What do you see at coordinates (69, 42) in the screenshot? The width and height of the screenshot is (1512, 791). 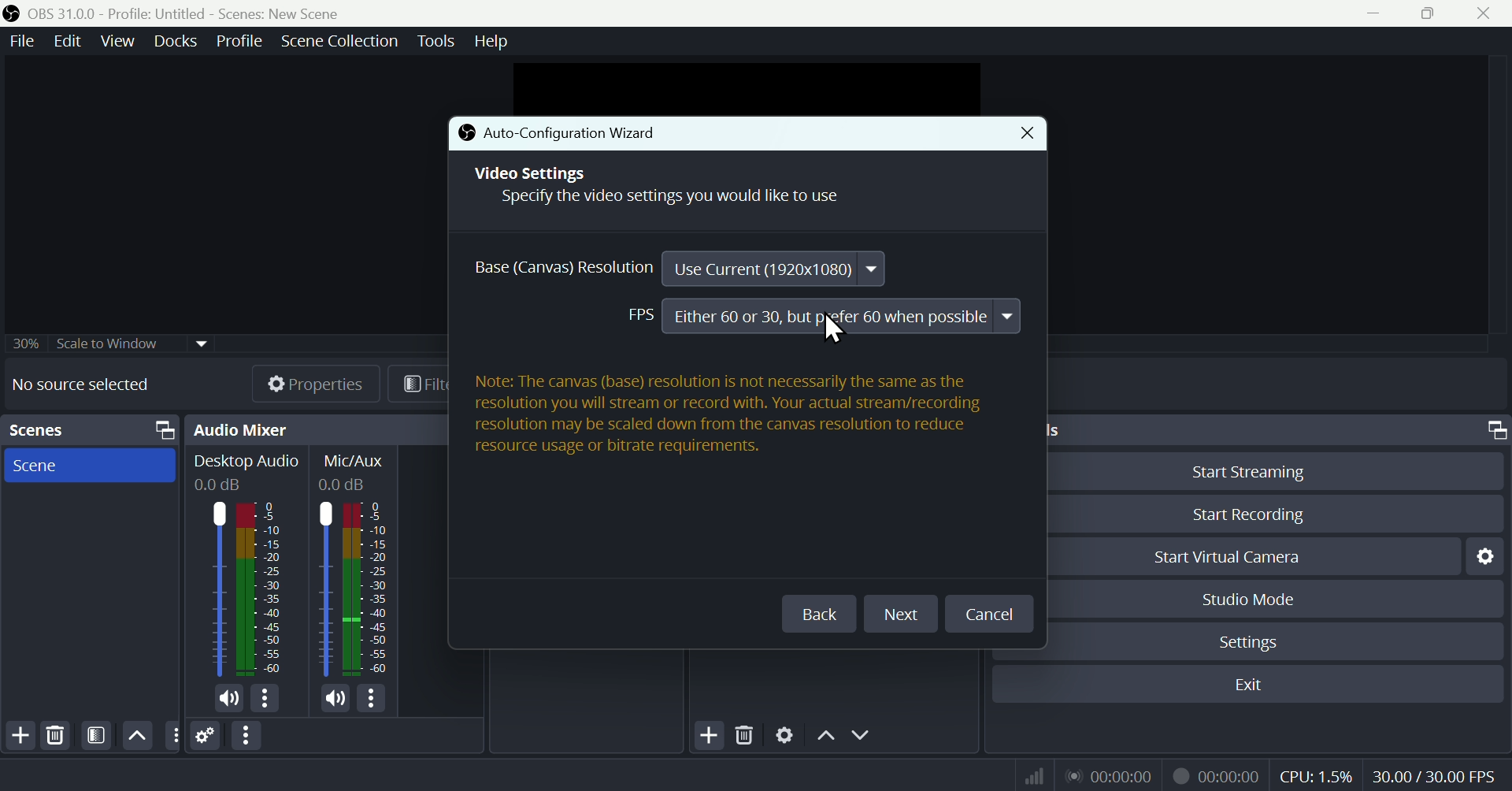 I see `Edit` at bounding box center [69, 42].